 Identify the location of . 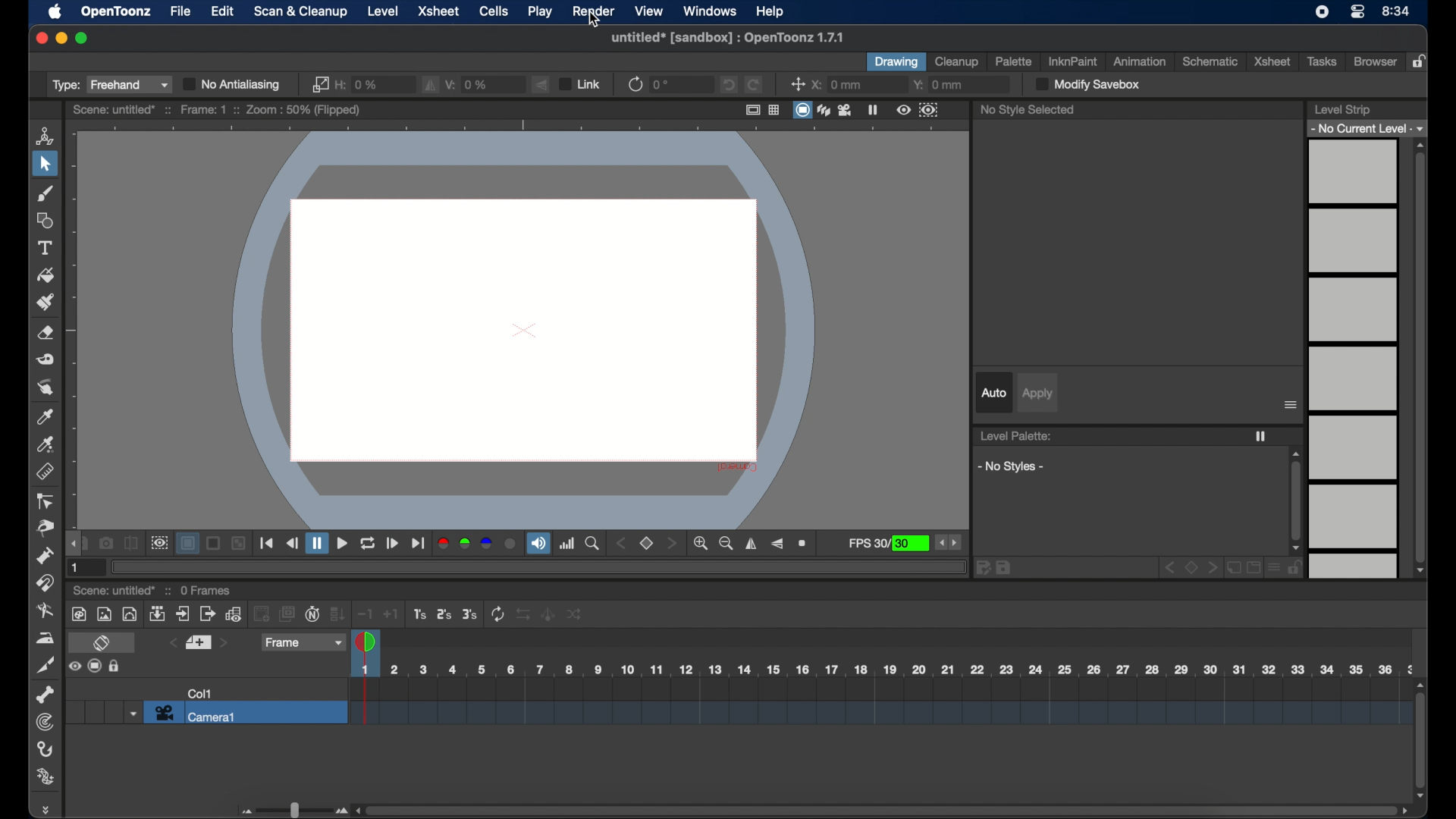
(105, 616).